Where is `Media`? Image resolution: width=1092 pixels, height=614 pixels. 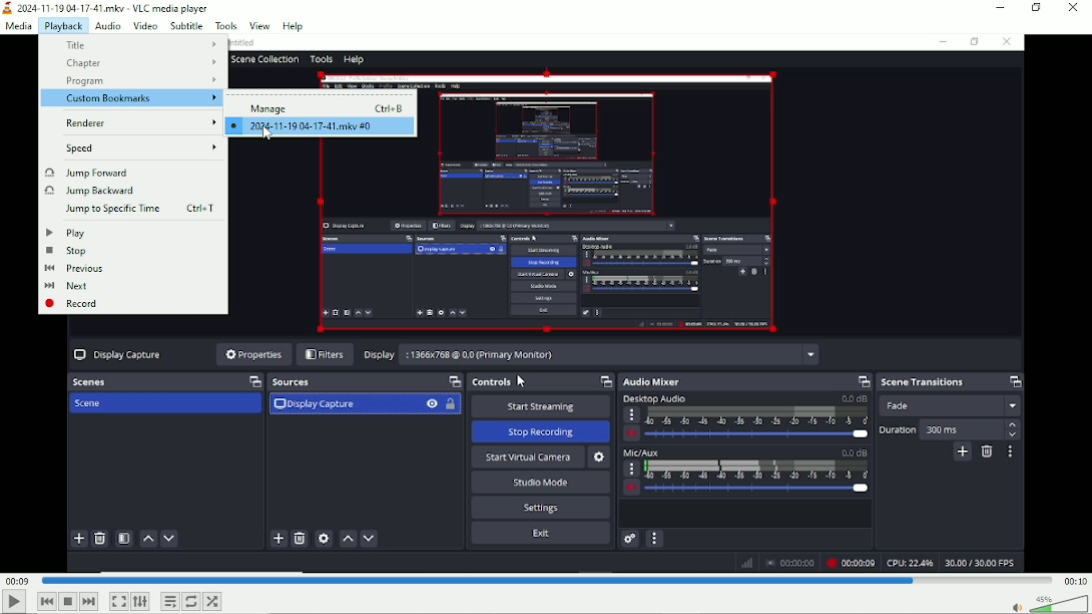
Media is located at coordinates (17, 26).